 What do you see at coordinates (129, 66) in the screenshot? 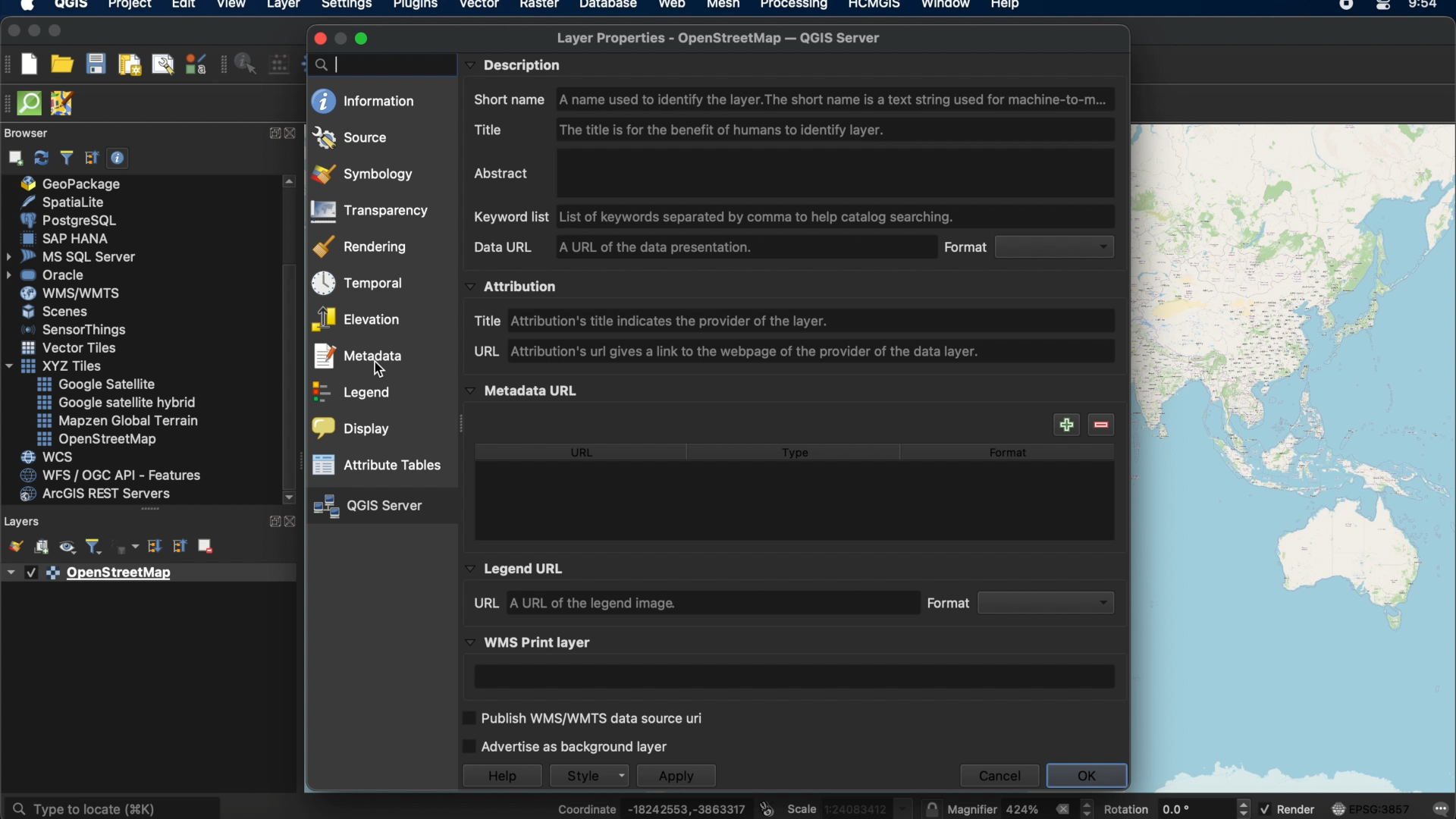
I see `new paint layout` at bounding box center [129, 66].